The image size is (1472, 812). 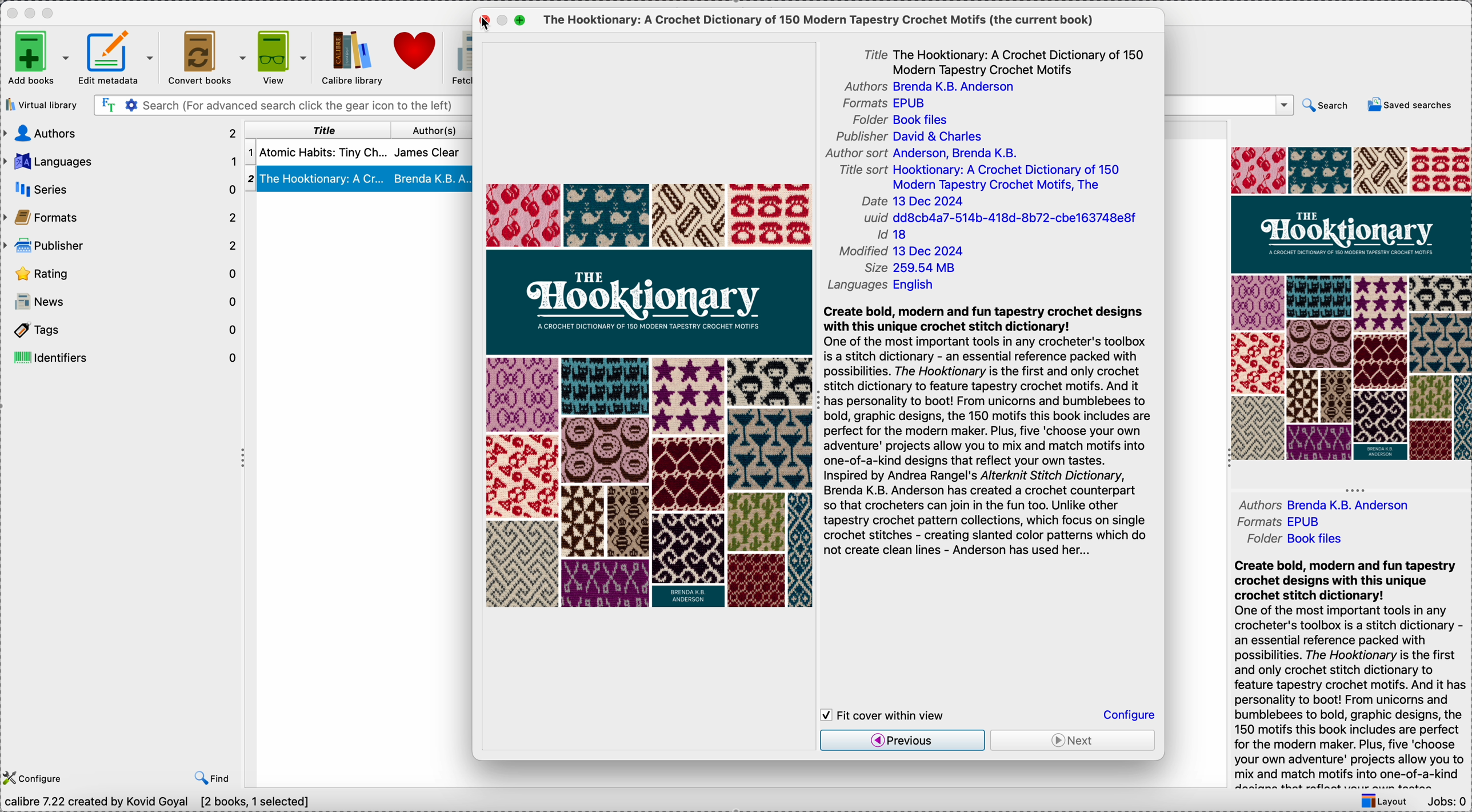 I want to click on size 259.54 MB, so click(x=906, y=269).